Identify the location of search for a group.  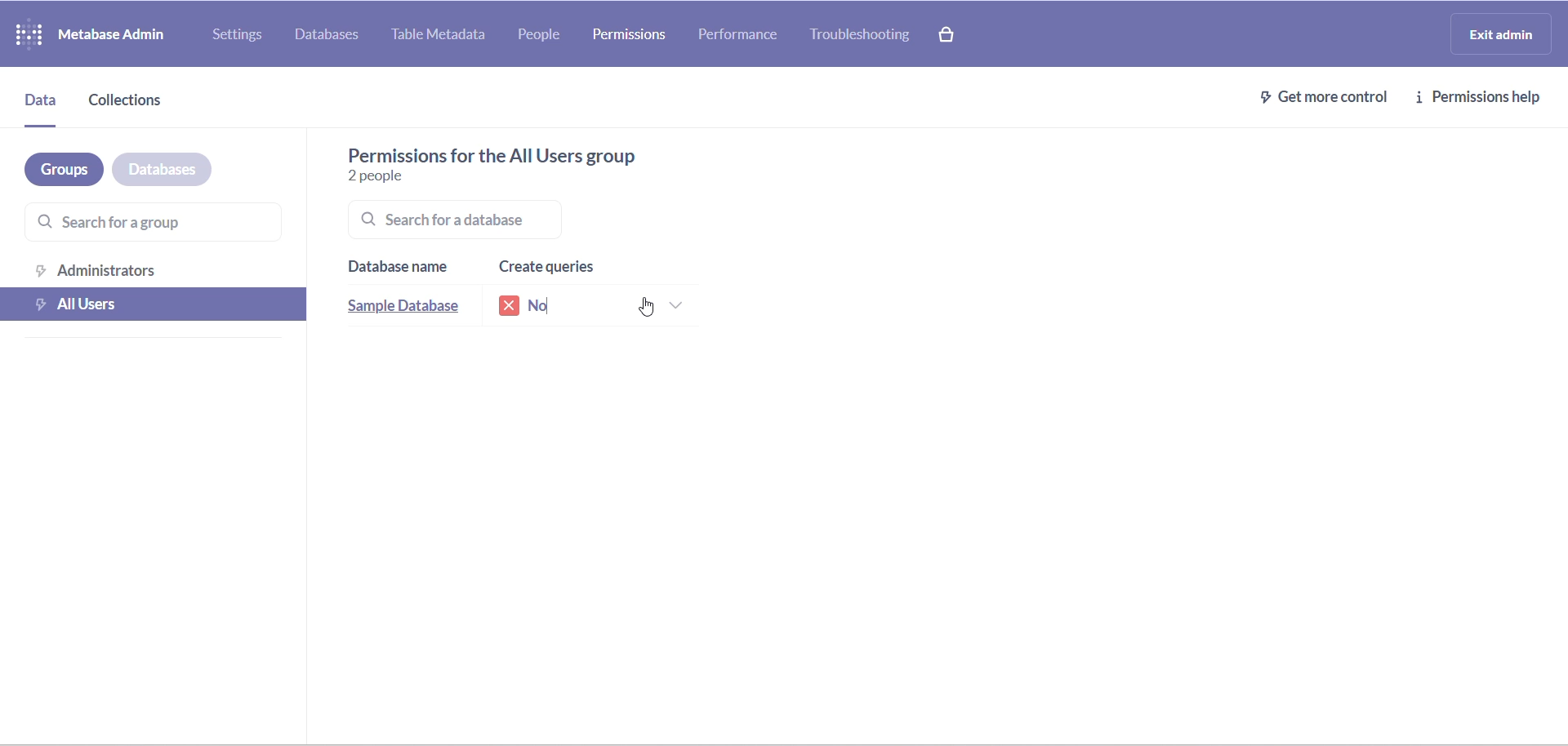
(144, 220).